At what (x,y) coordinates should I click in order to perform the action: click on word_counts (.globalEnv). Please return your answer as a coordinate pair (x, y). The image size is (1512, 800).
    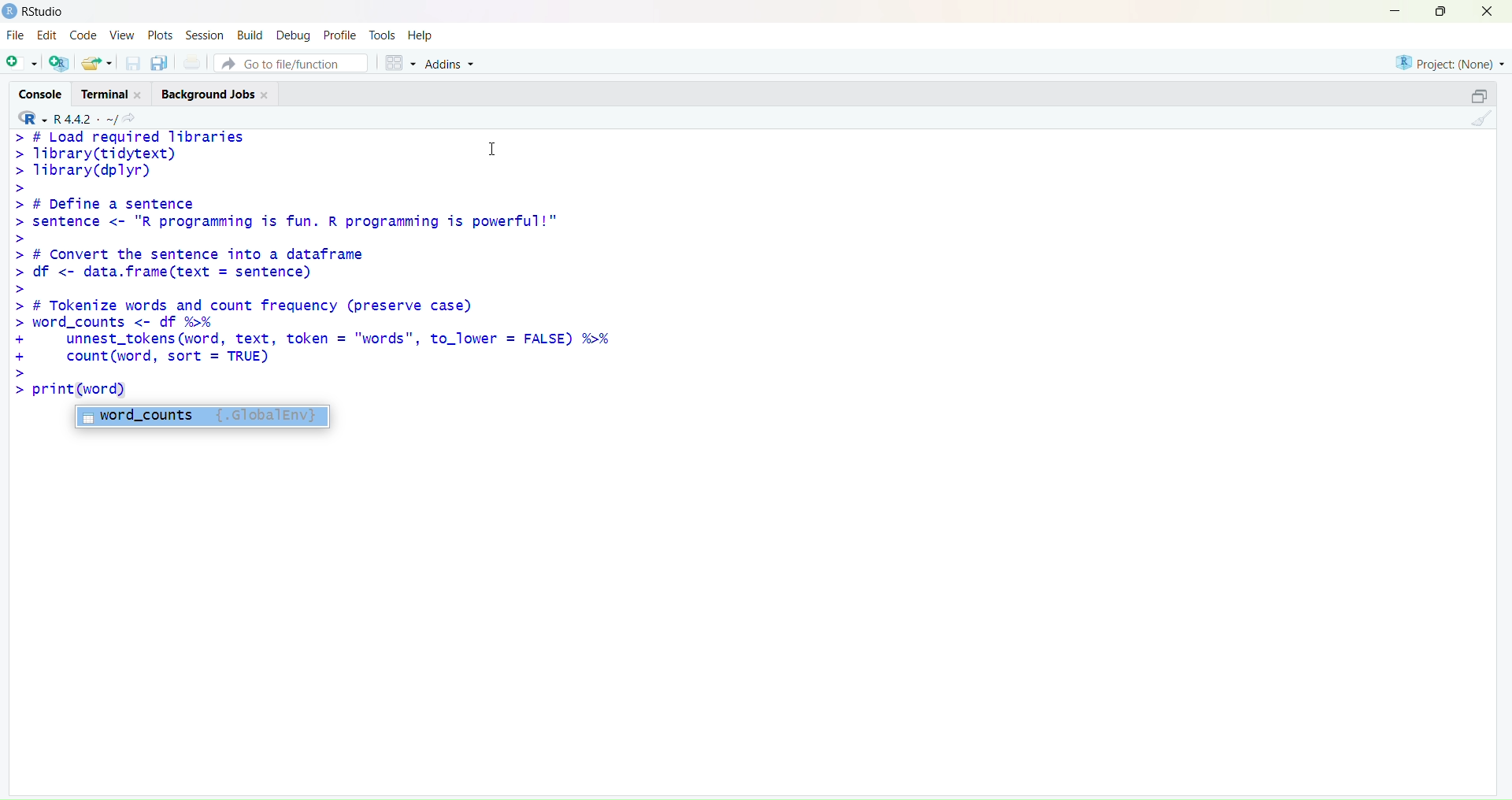
    Looking at the image, I should click on (209, 417).